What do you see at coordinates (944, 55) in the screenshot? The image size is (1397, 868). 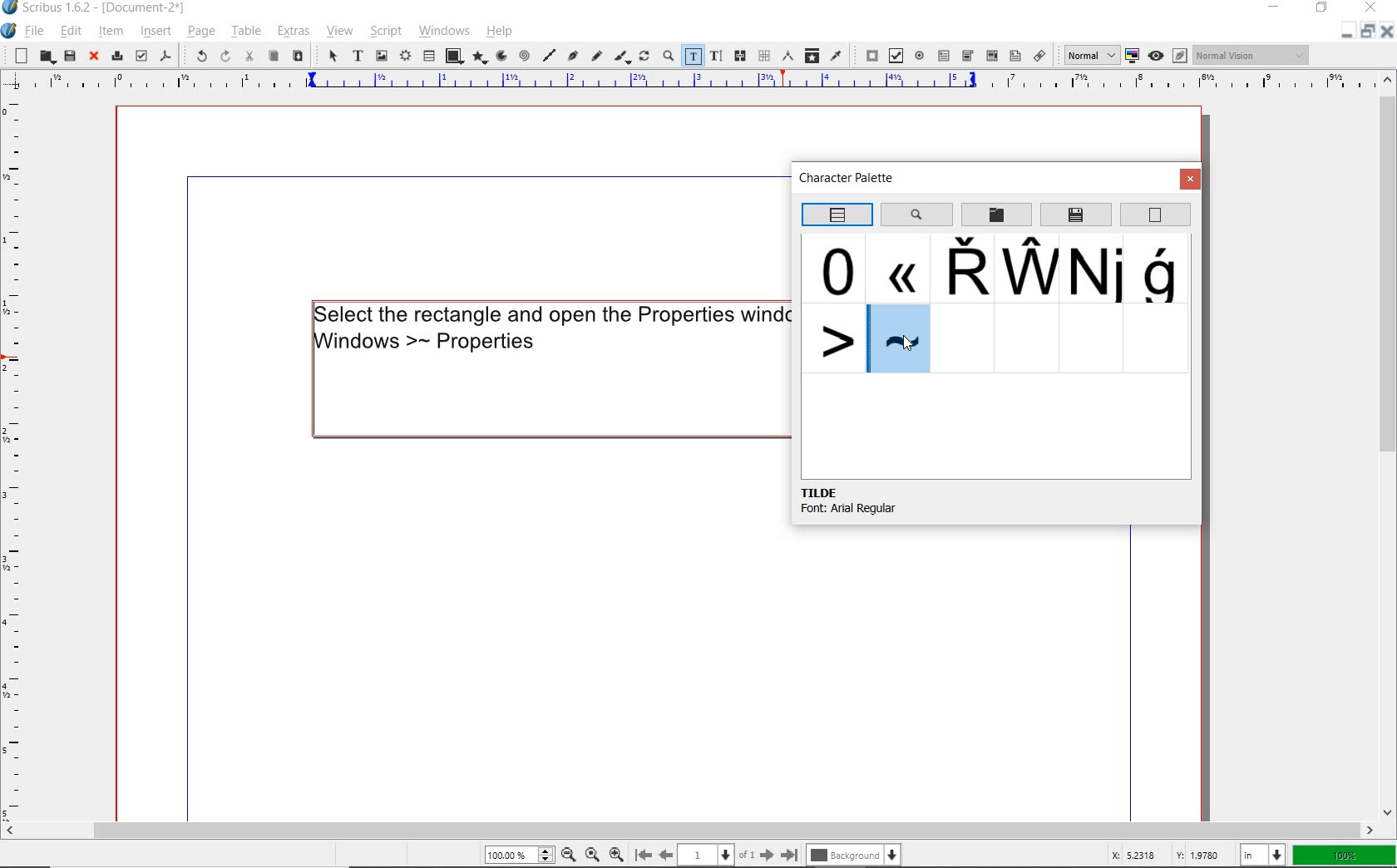 I see `pdf text field` at bounding box center [944, 55].